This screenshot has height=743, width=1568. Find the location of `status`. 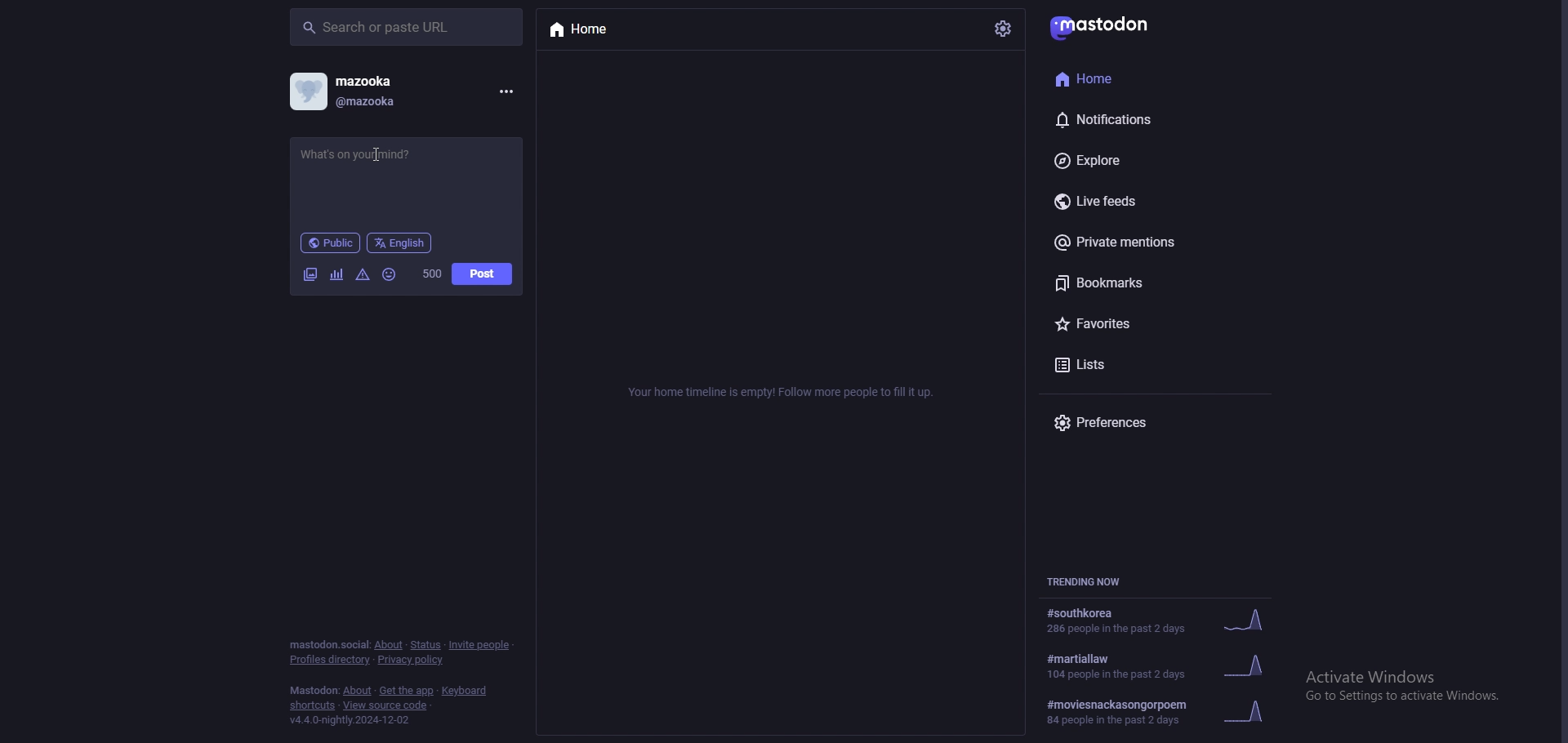

status is located at coordinates (404, 175).